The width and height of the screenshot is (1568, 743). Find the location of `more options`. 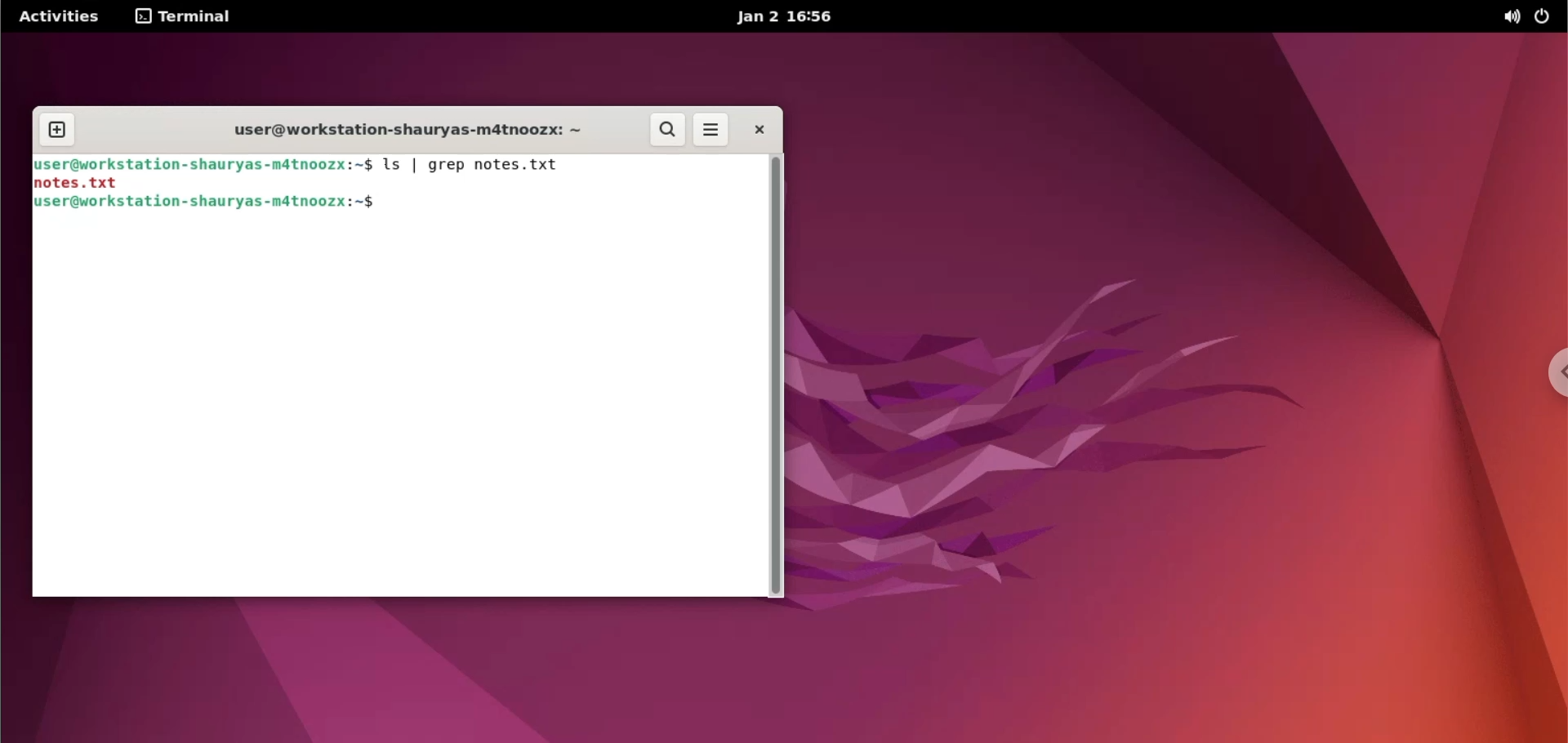

more options is located at coordinates (709, 130).